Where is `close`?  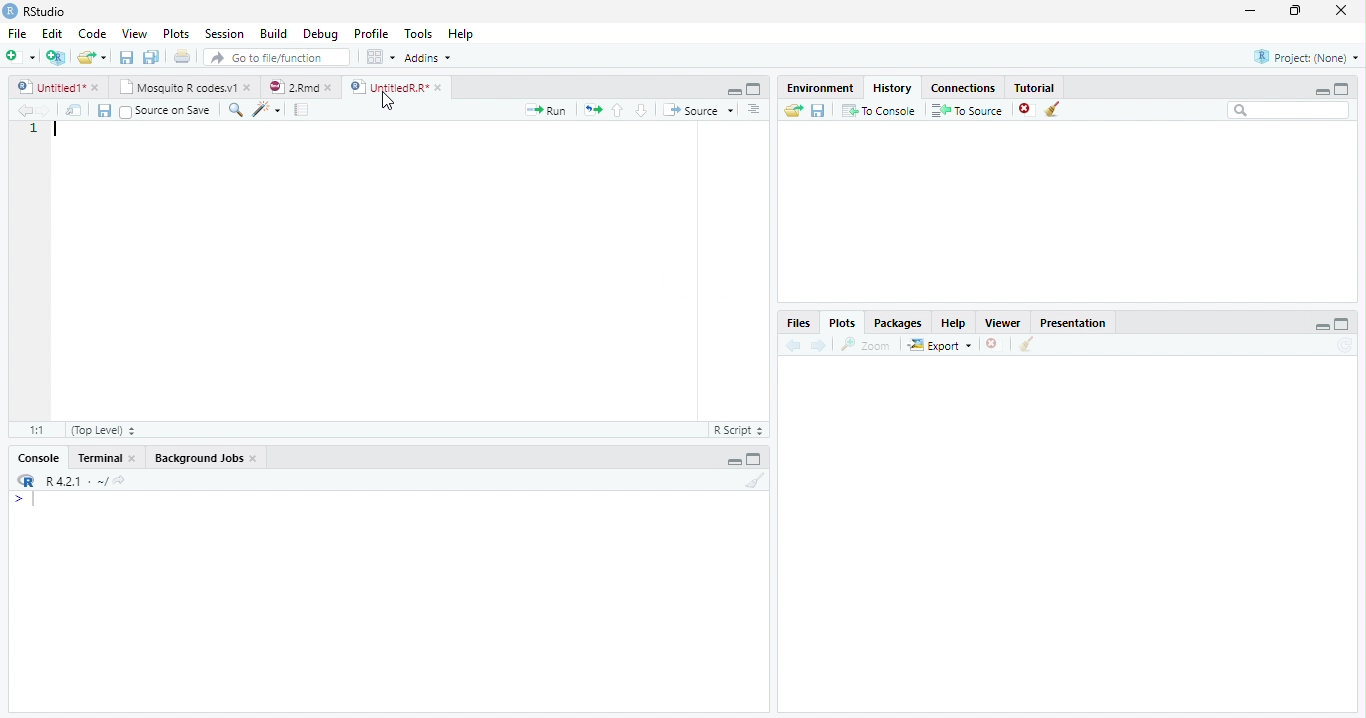 close is located at coordinates (133, 458).